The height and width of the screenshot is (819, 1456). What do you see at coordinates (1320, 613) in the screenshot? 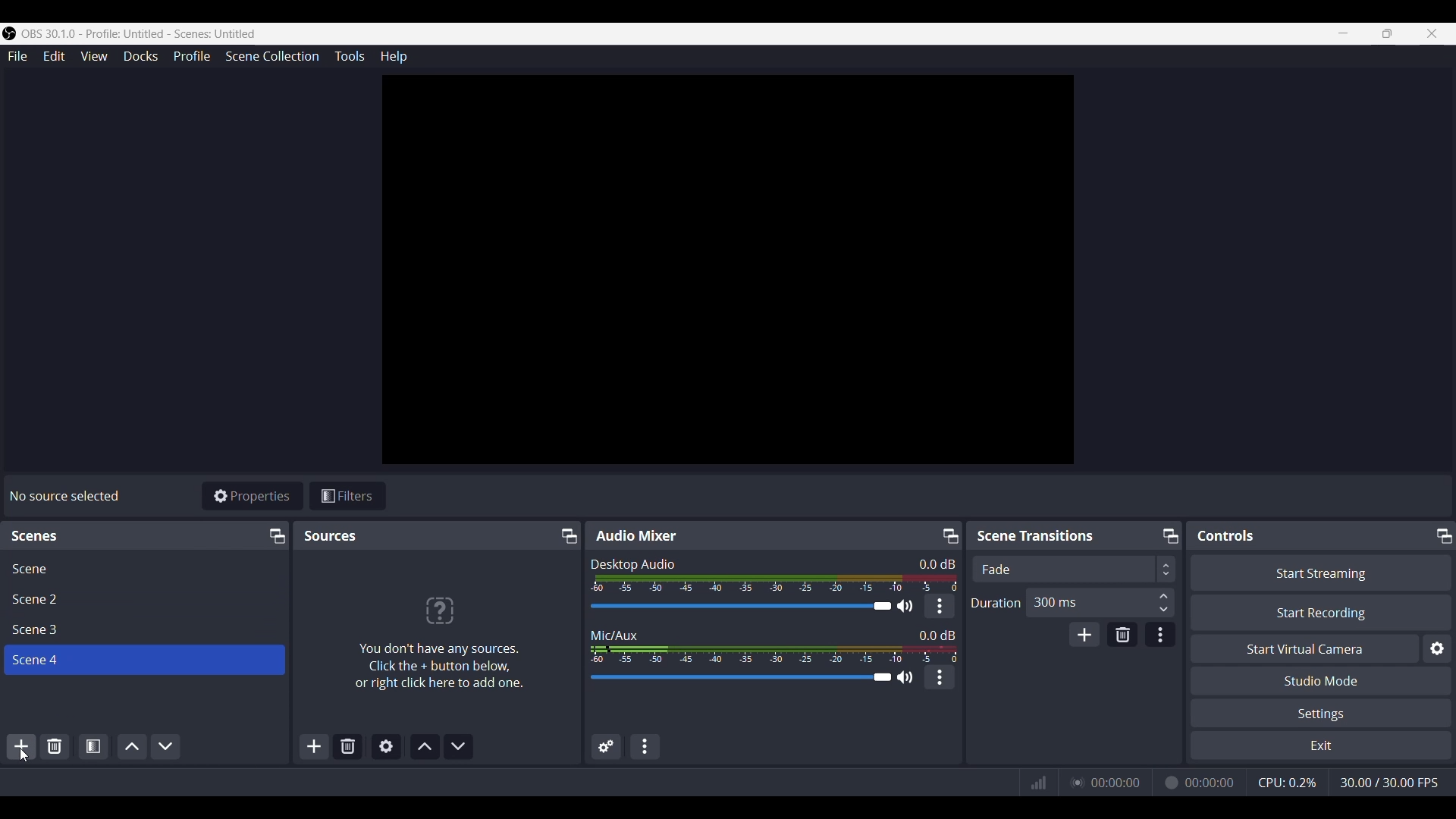
I see `Start Recording` at bounding box center [1320, 613].